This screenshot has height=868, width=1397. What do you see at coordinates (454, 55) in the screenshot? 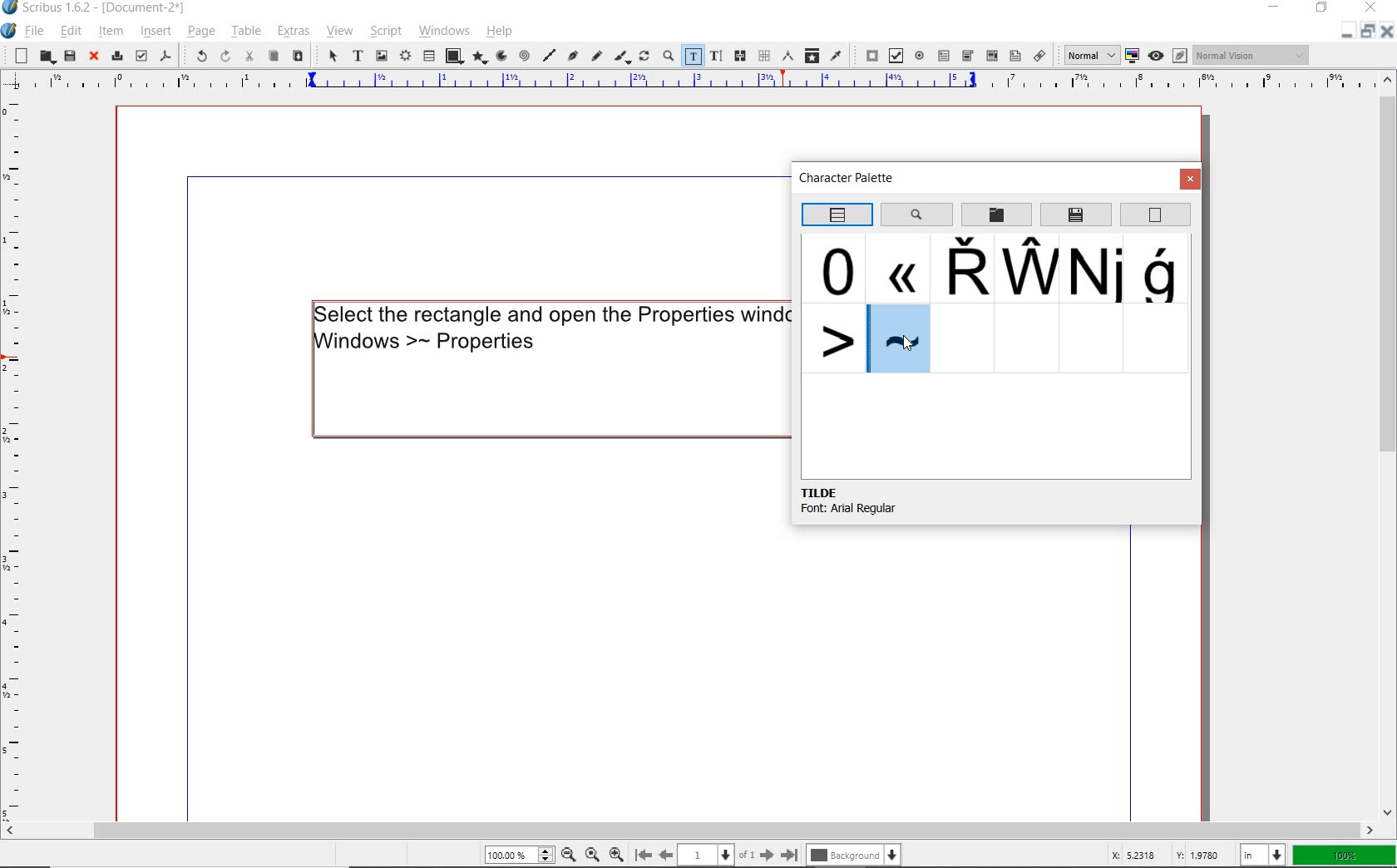
I see `shape` at bounding box center [454, 55].